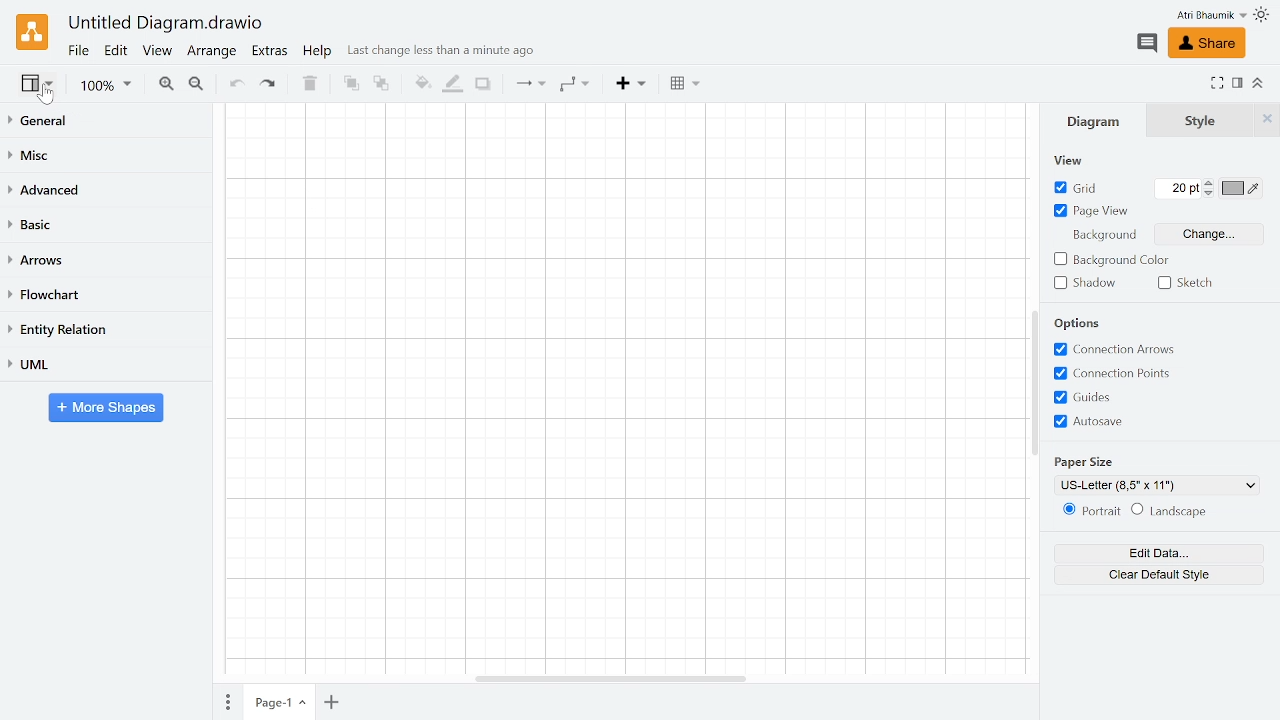 The width and height of the screenshot is (1280, 720). What do you see at coordinates (310, 85) in the screenshot?
I see `Delete` at bounding box center [310, 85].